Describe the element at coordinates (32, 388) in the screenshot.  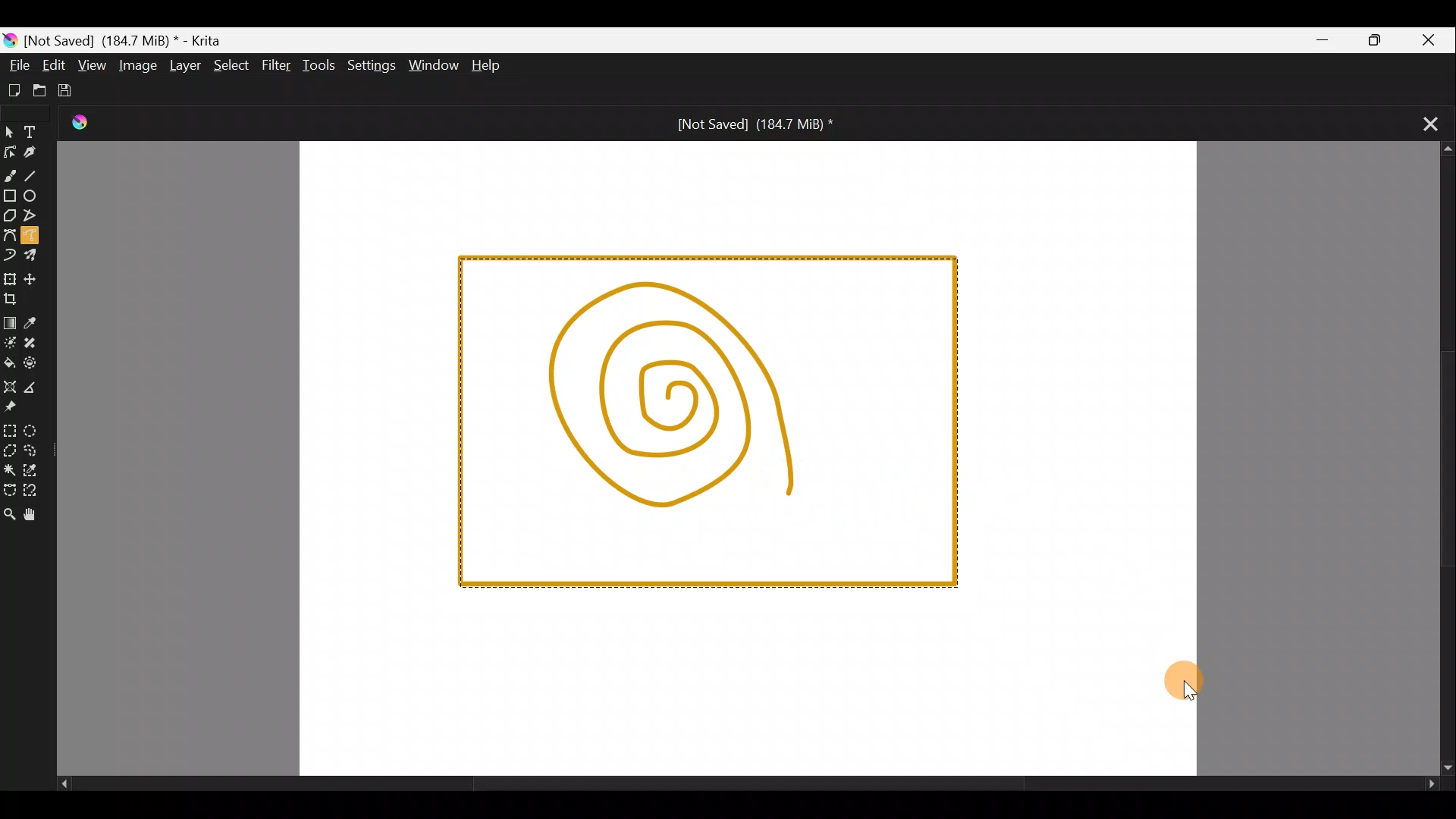
I see `Measure the distance between two points` at that location.